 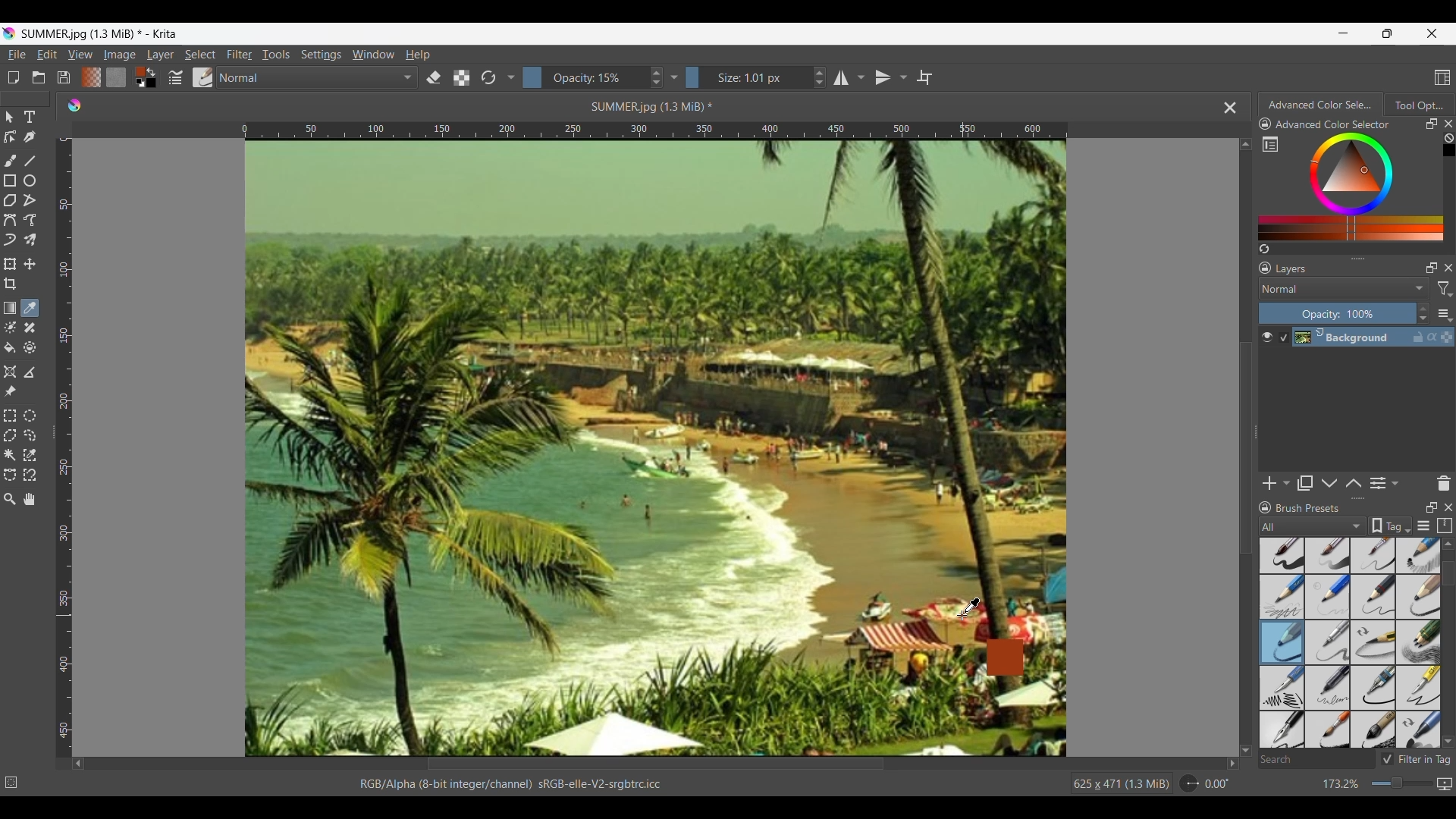 I want to click on Set erase mode, so click(x=434, y=78).